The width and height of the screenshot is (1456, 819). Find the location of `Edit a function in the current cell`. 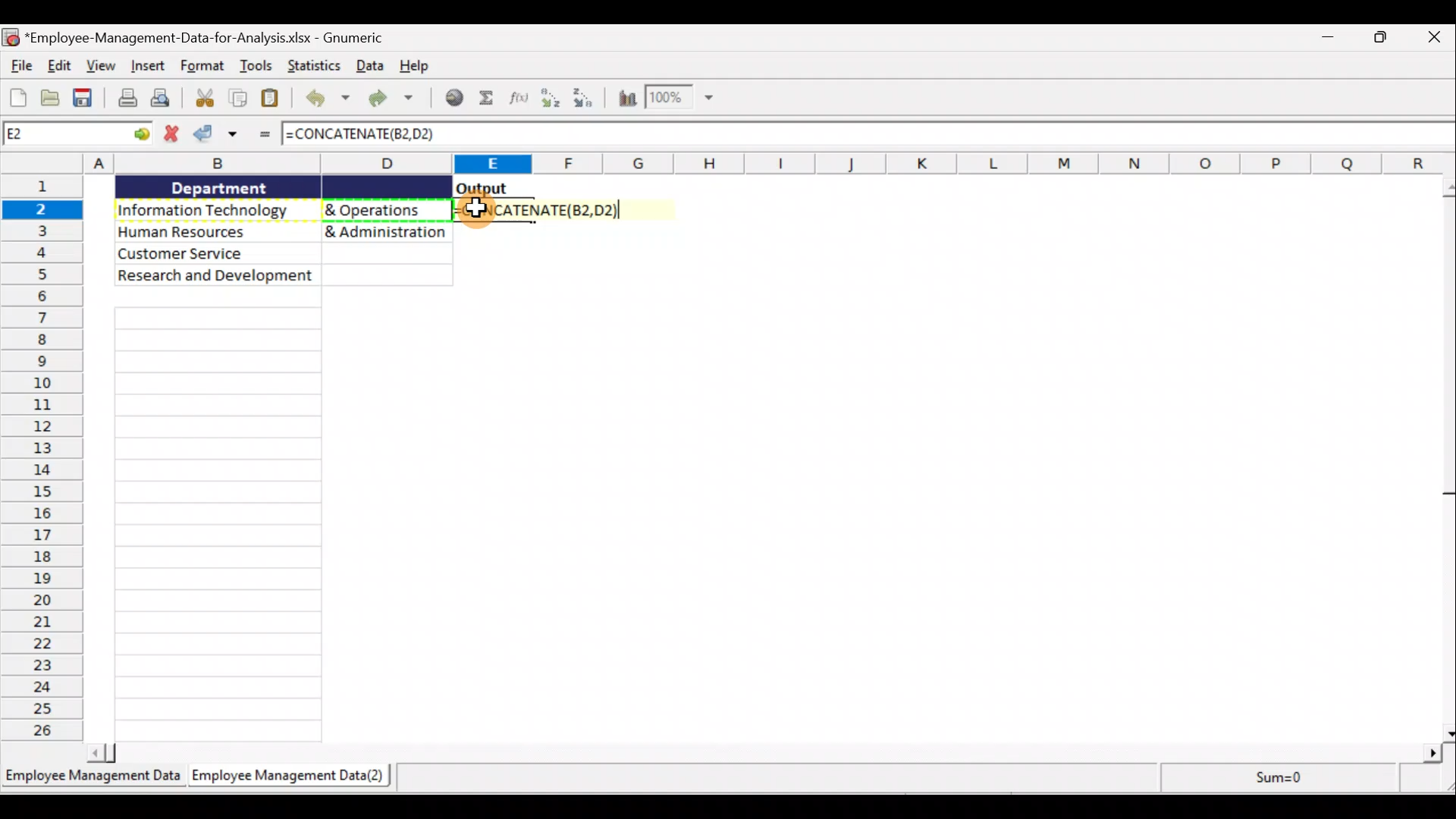

Edit a function in the current cell is located at coordinates (518, 96).